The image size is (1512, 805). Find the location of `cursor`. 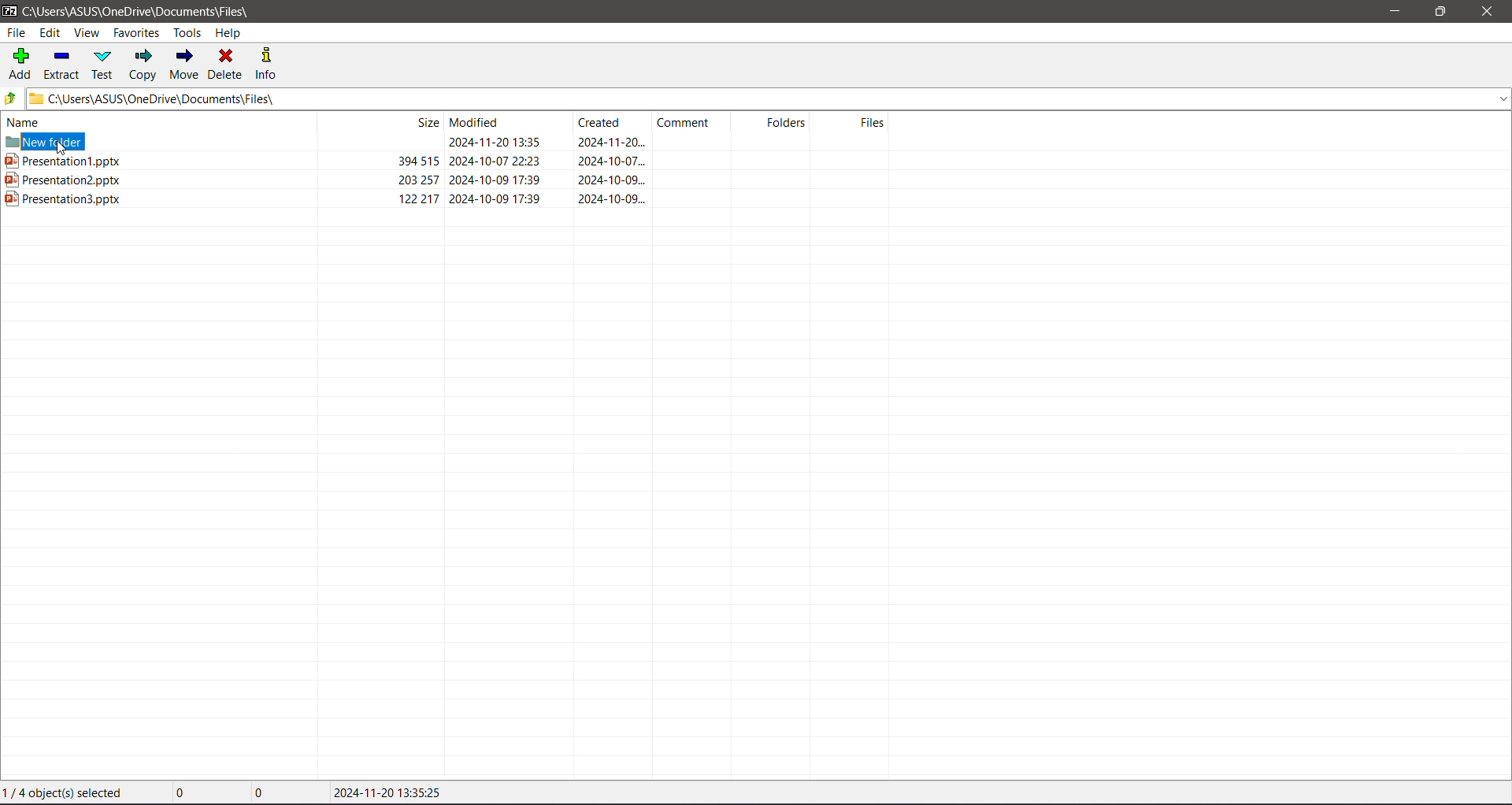

cursor is located at coordinates (60, 150).